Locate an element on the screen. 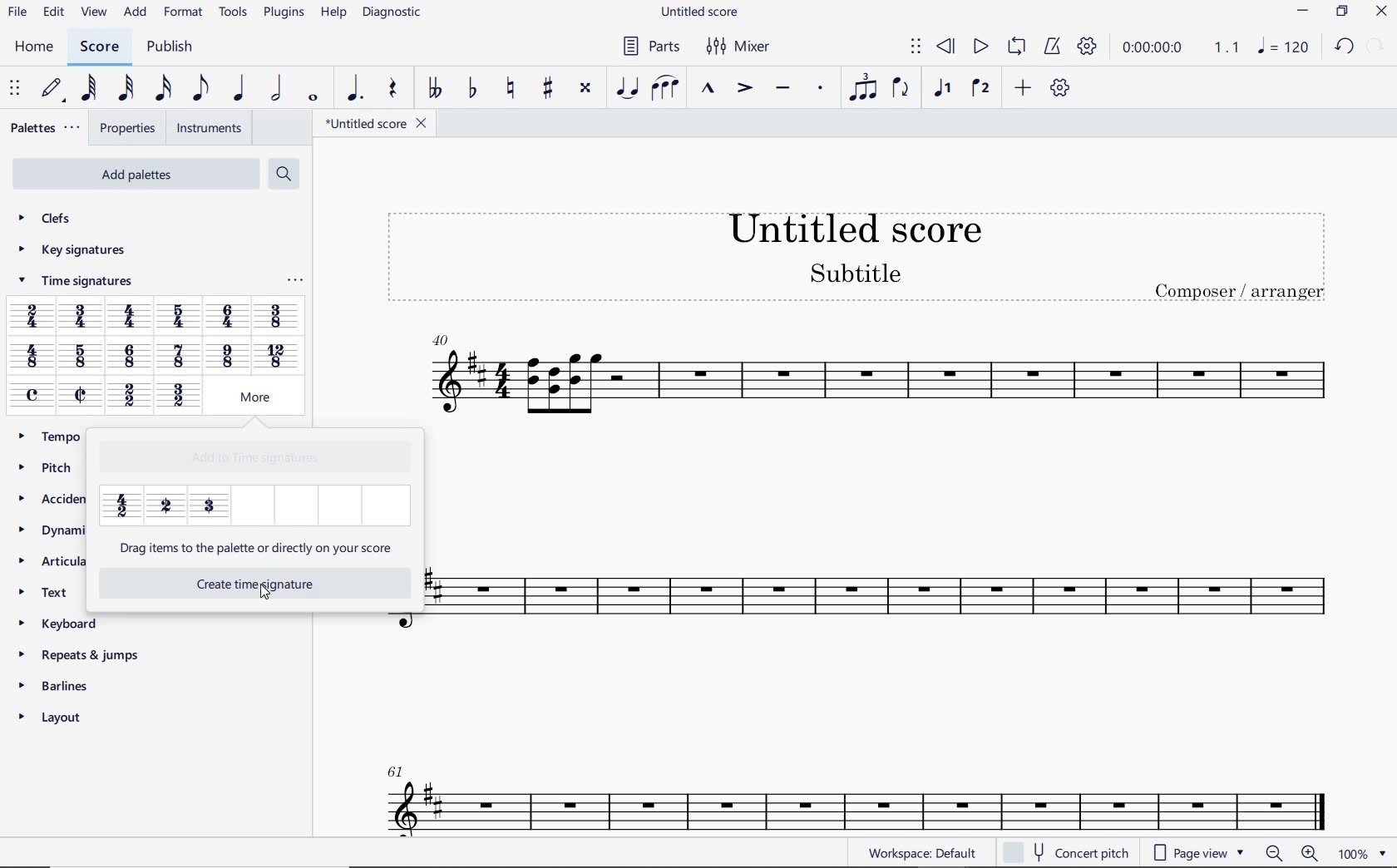 Image resolution: width=1397 pixels, height=868 pixels. FORMAT is located at coordinates (183, 12).